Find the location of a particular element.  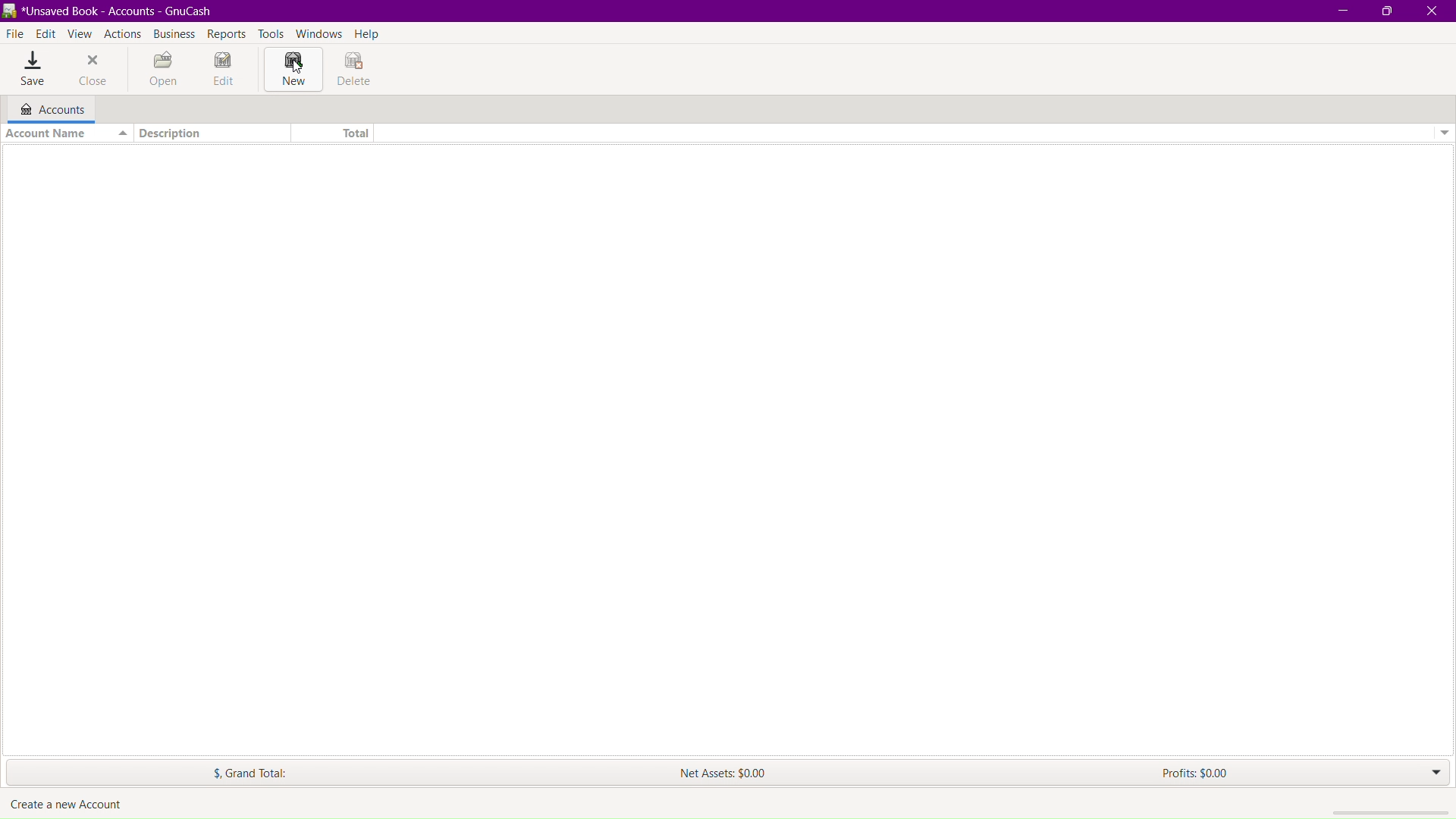

Help is located at coordinates (369, 32).